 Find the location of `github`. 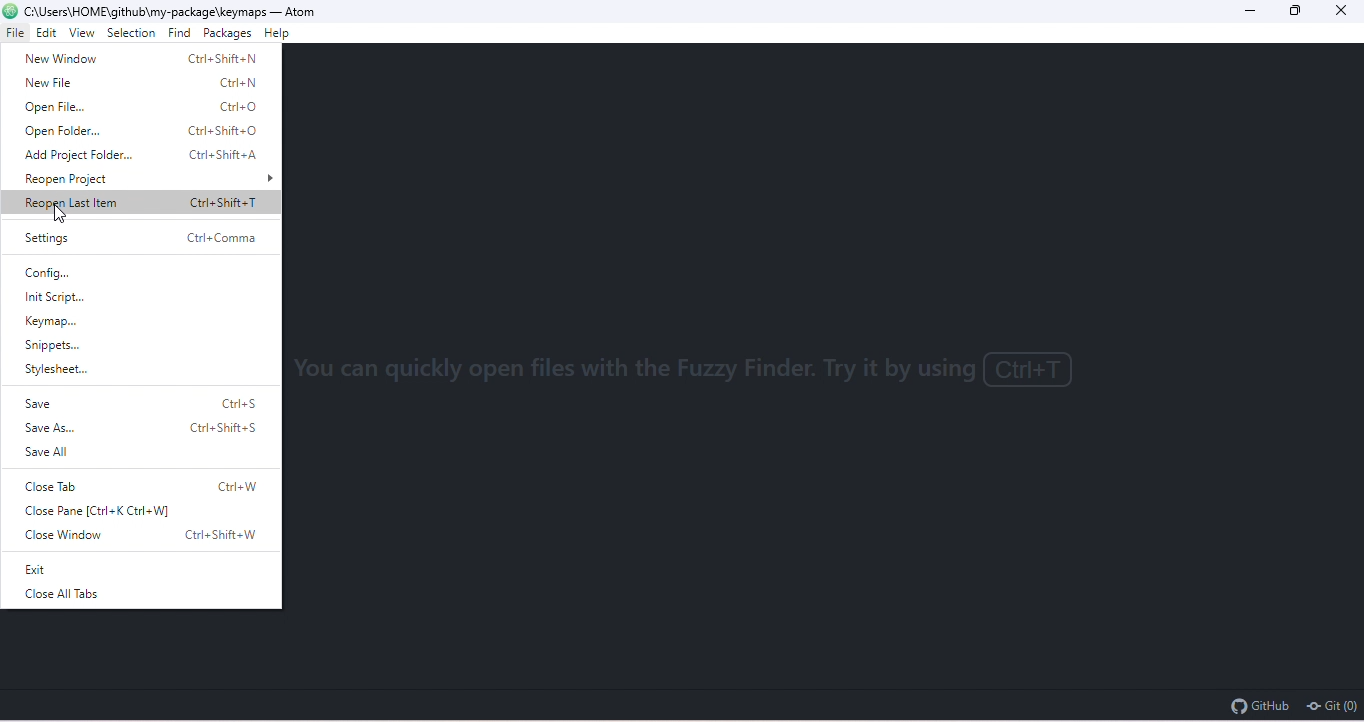

github is located at coordinates (1264, 708).